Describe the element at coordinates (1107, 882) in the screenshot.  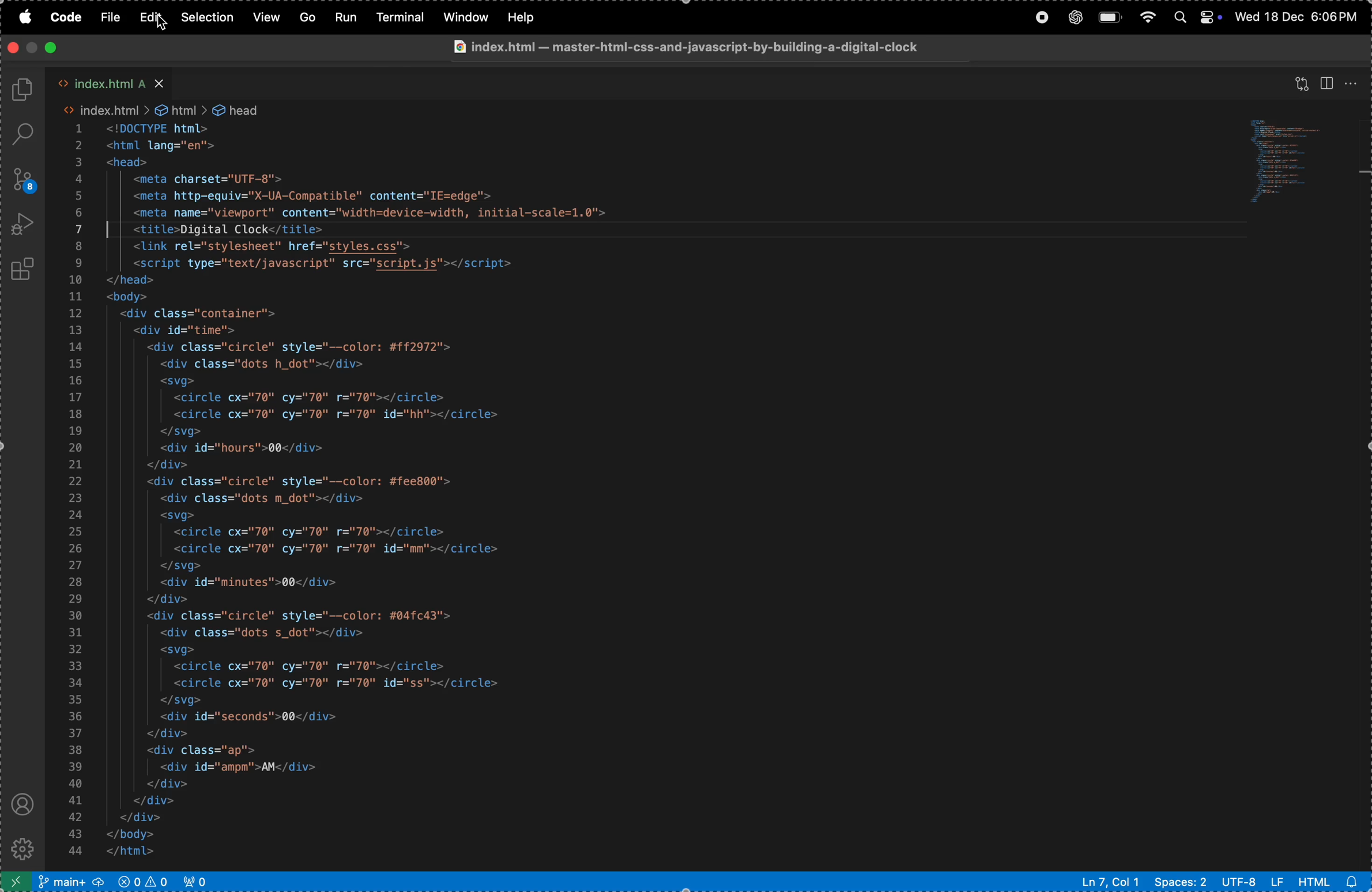
I see `Ln 7 col 2` at that location.